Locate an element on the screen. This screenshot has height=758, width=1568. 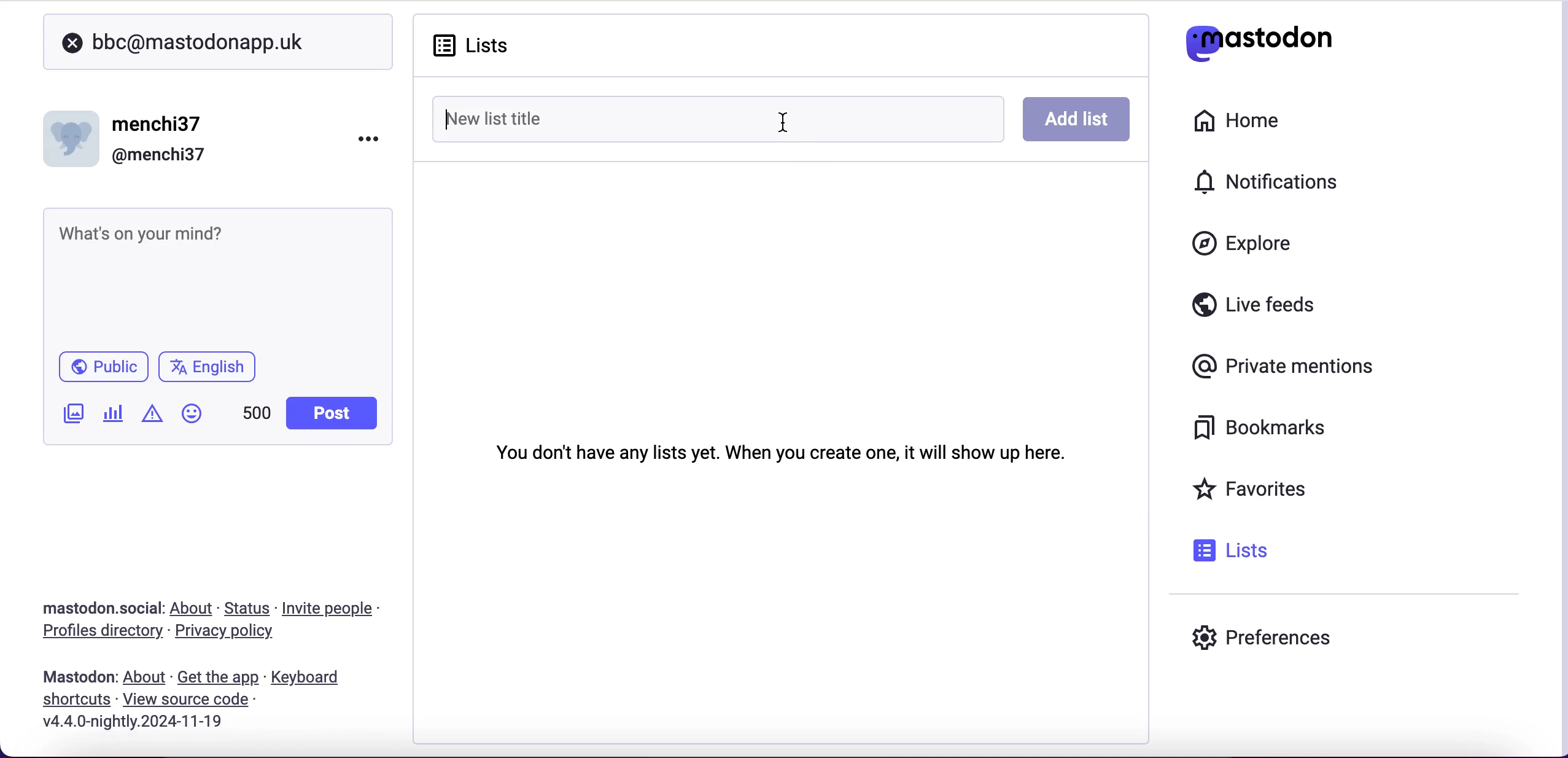
add content warning is located at coordinates (155, 415).